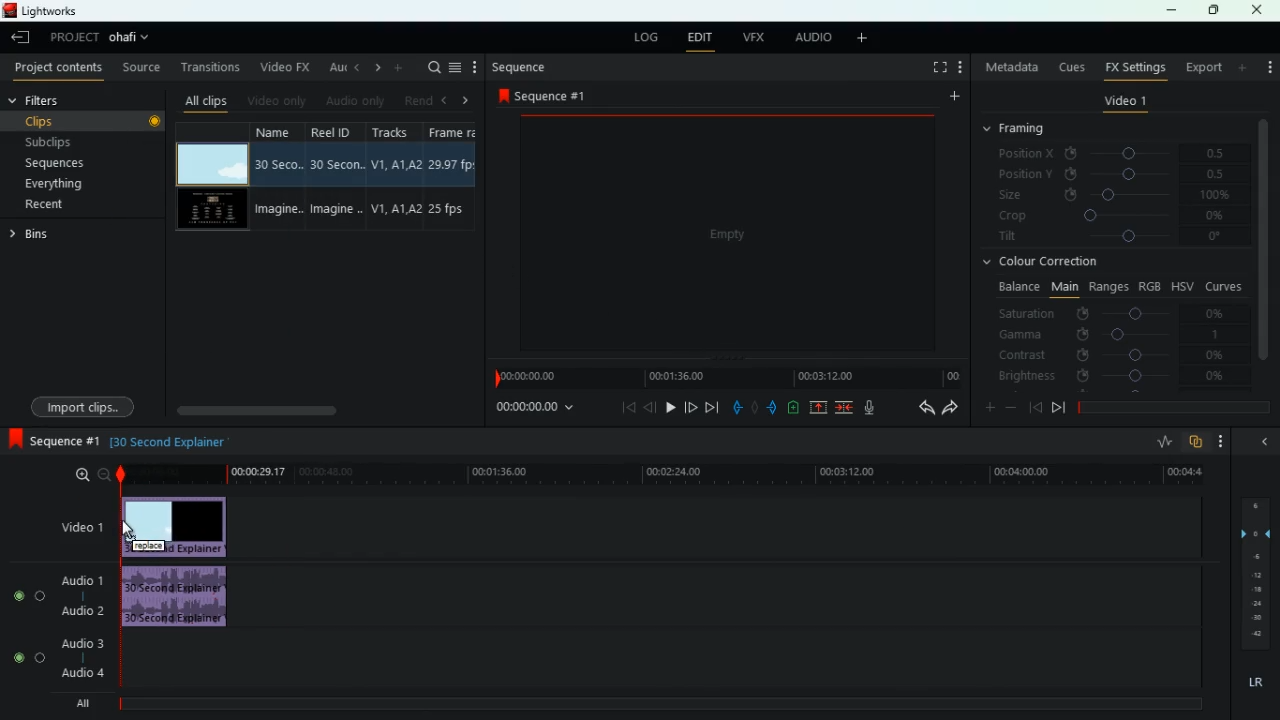  What do you see at coordinates (757, 37) in the screenshot?
I see `vfx` at bounding box center [757, 37].